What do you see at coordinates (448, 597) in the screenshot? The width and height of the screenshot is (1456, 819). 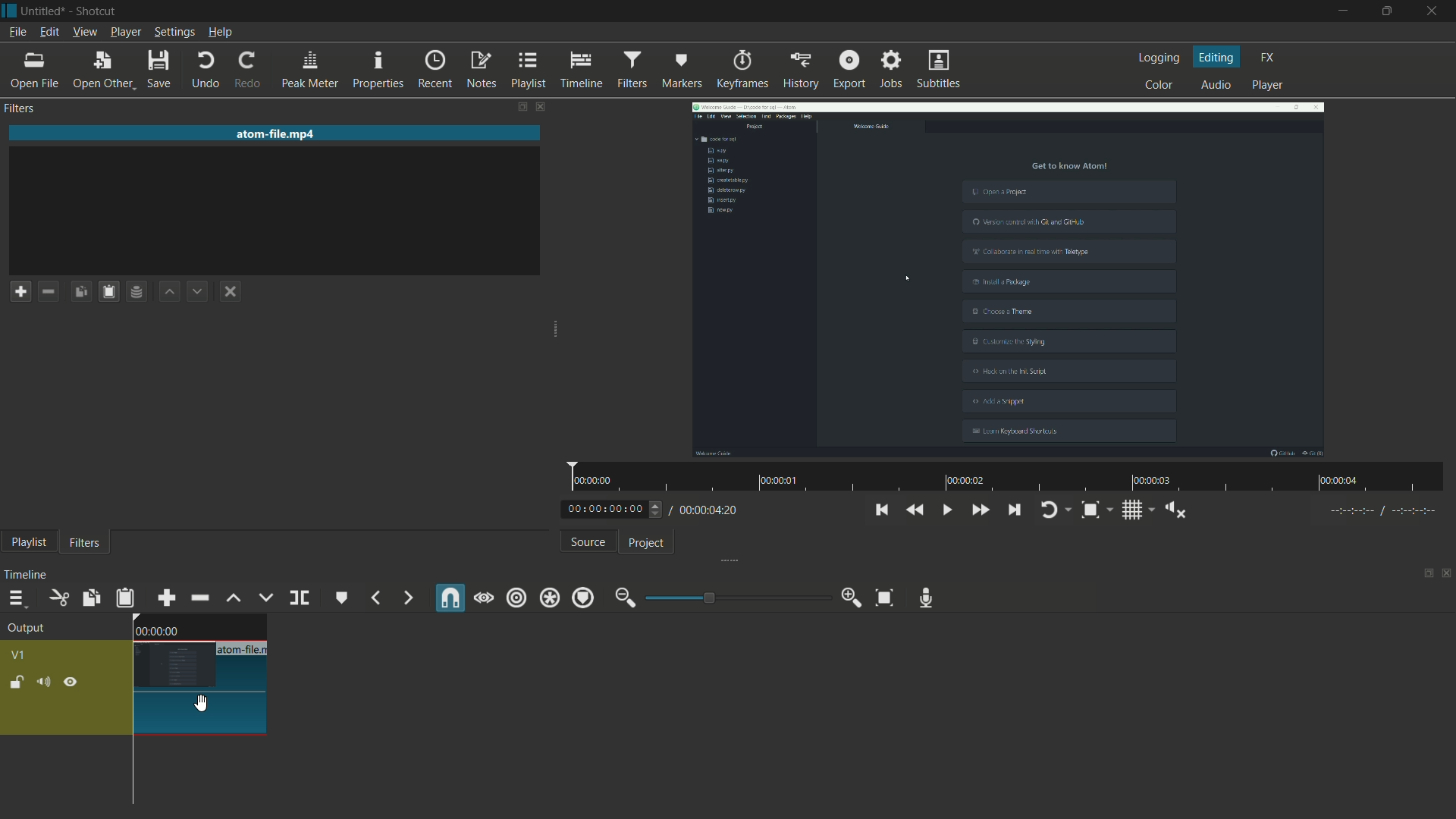 I see `snap` at bounding box center [448, 597].